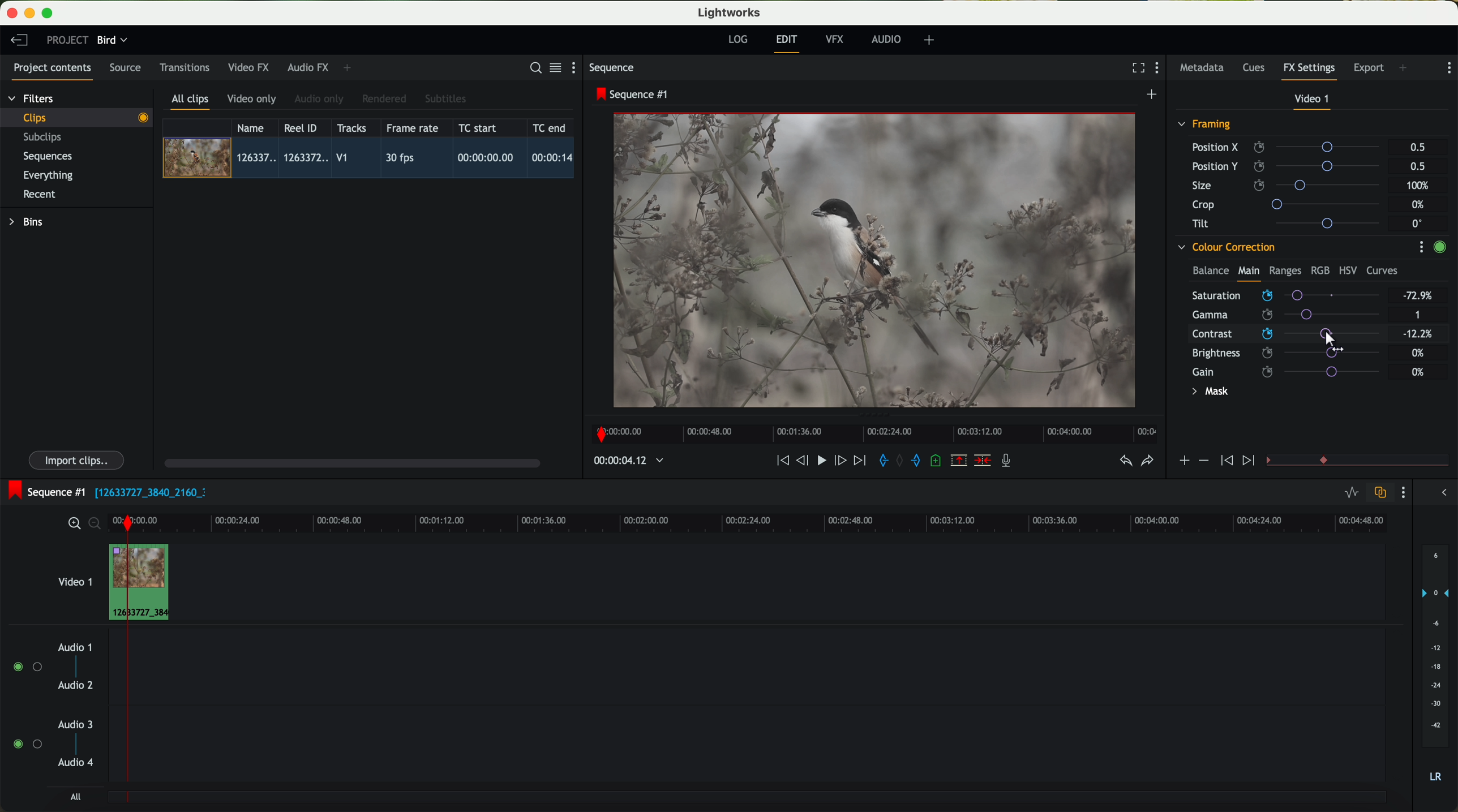 This screenshot has height=812, width=1458. I want to click on zoom in, so click(72, 524).